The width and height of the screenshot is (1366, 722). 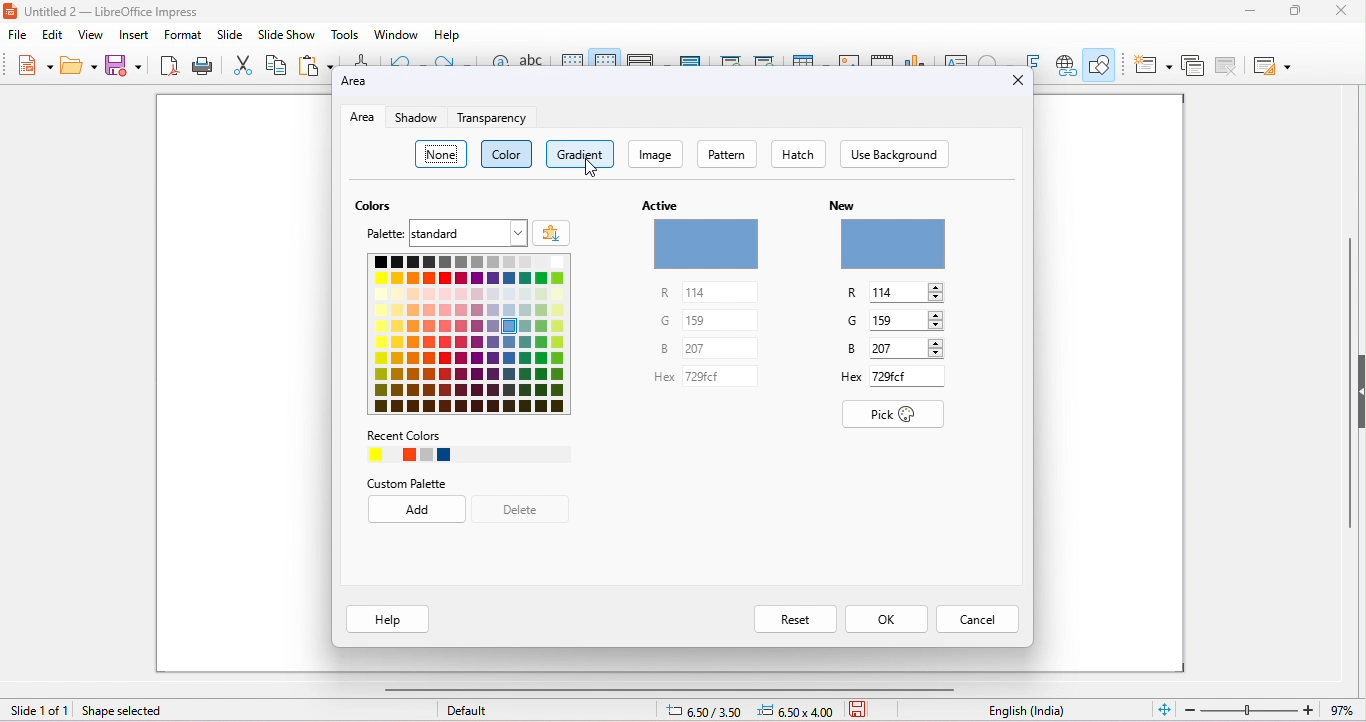 I want to click on rea, so click(x=361, y=118).